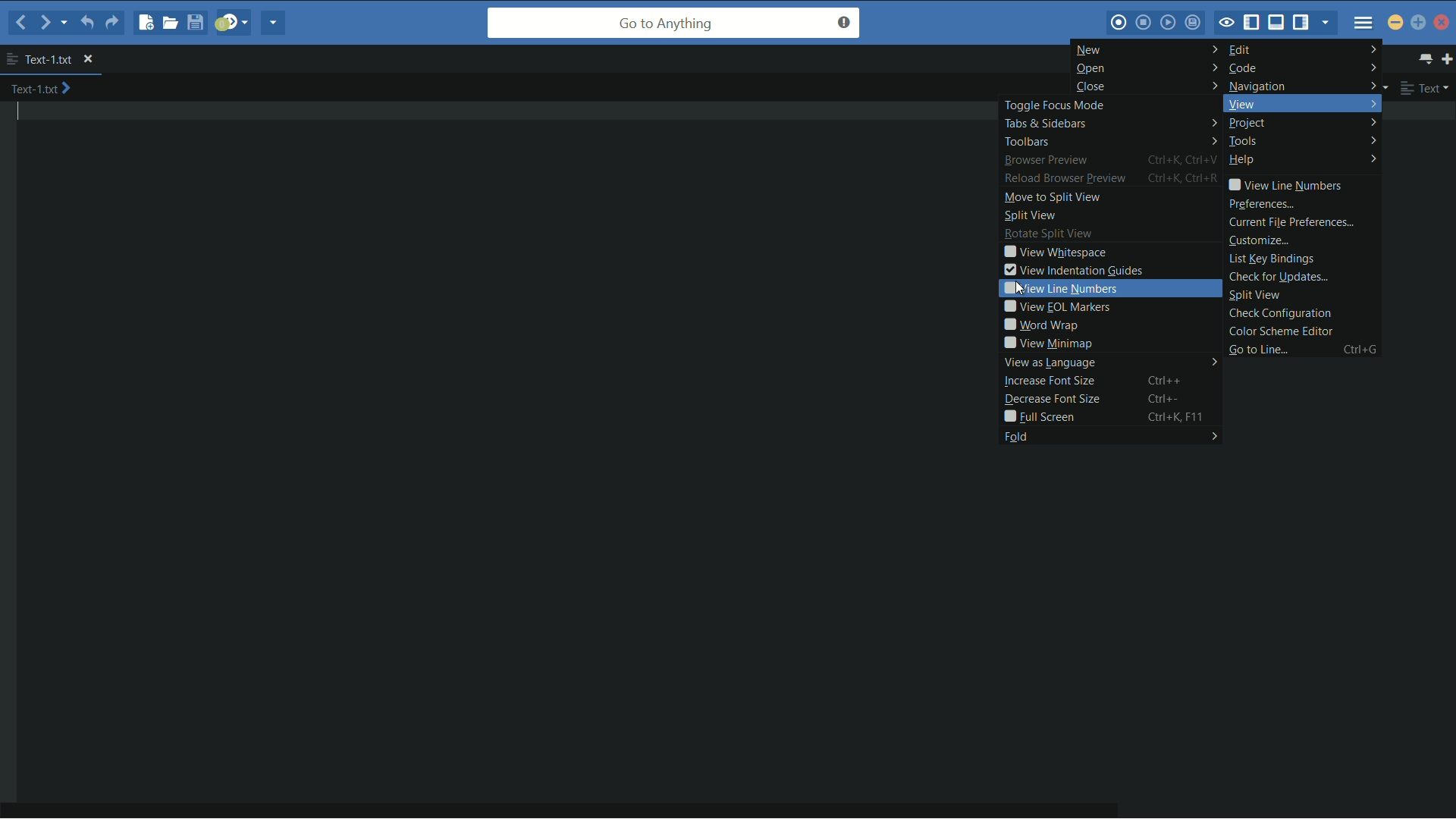 The width and height of the screenshot is (1456, 819). Describe the element at coordinates (1360, 350) in the screenshot. I see `ctrl+g` at that location.